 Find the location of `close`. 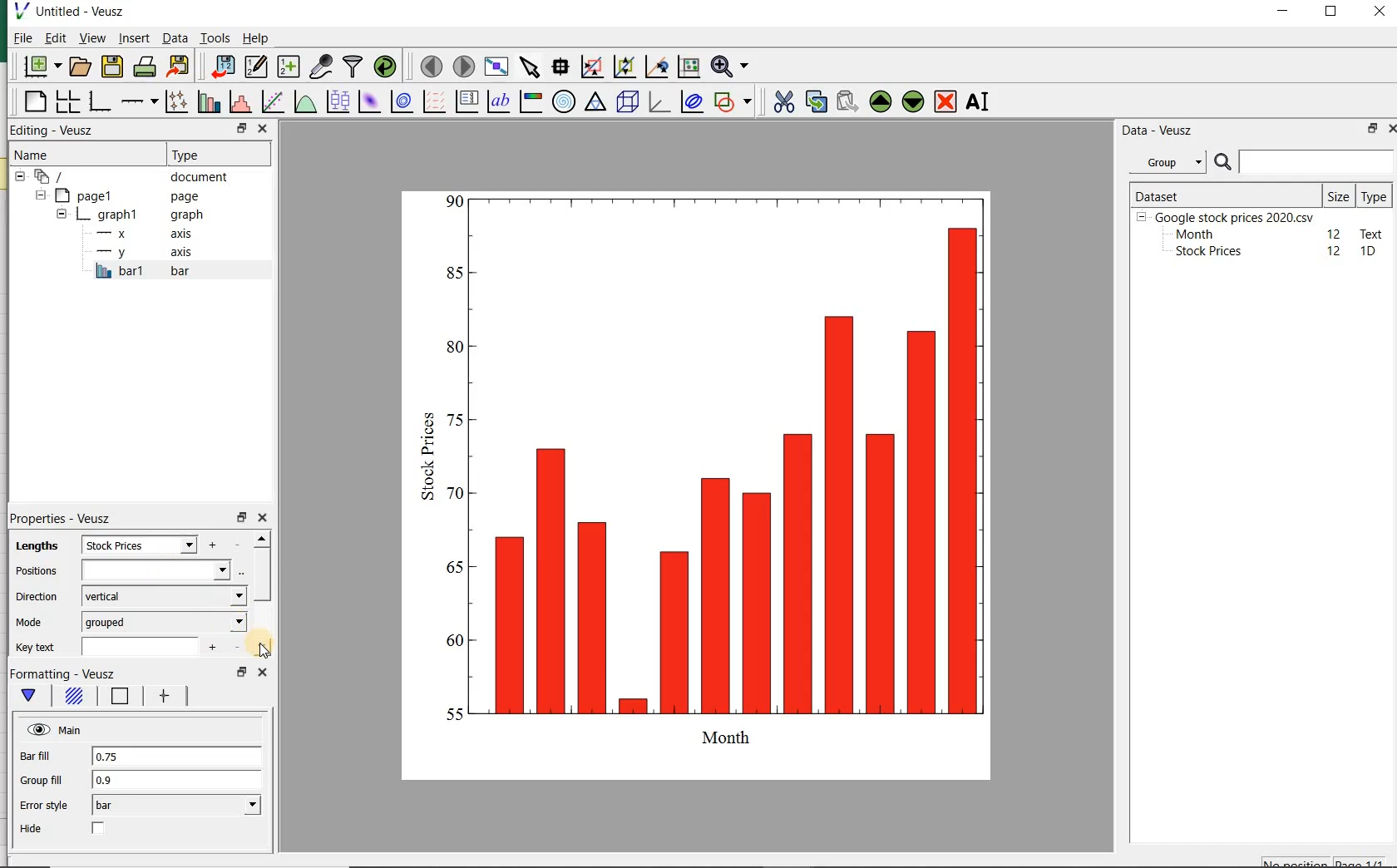

close is located at coordinates (262, 519).